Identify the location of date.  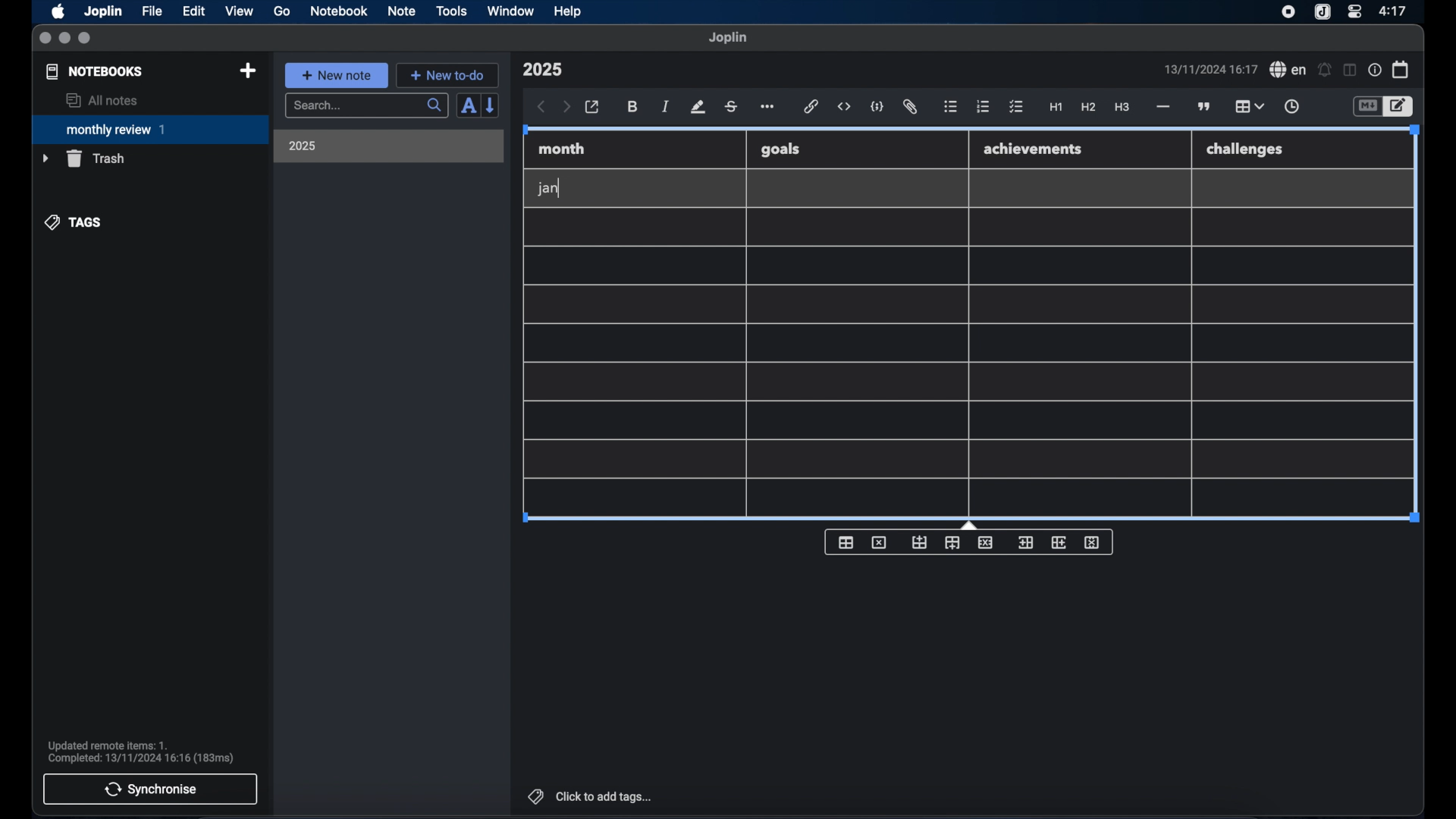
(1210, 69).